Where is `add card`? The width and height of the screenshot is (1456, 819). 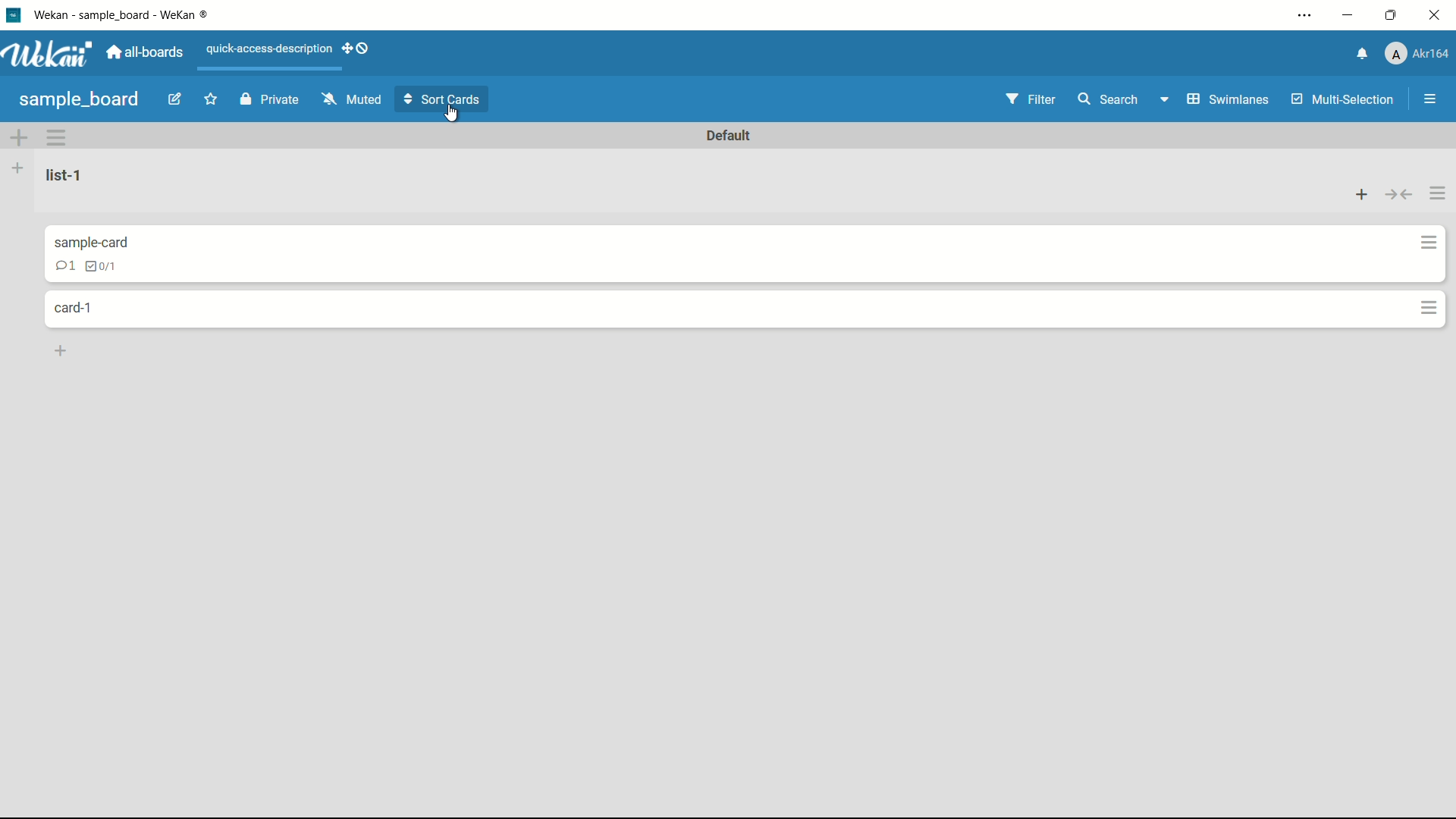
add card is located at coordinates (1363, 195).